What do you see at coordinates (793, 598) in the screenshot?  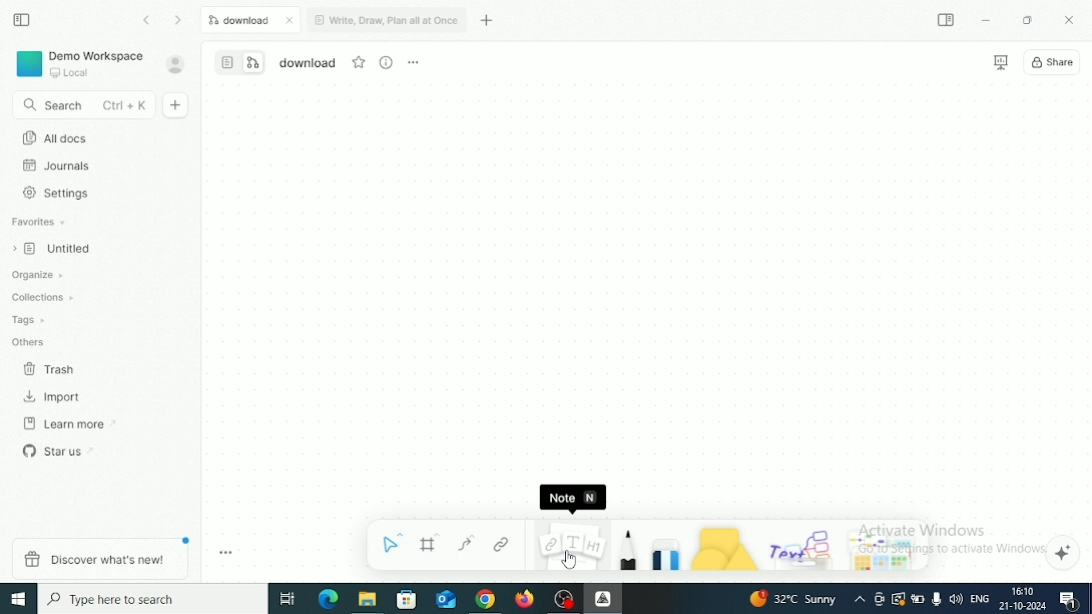 I see `Temperature` at bounding box center [793, 598].